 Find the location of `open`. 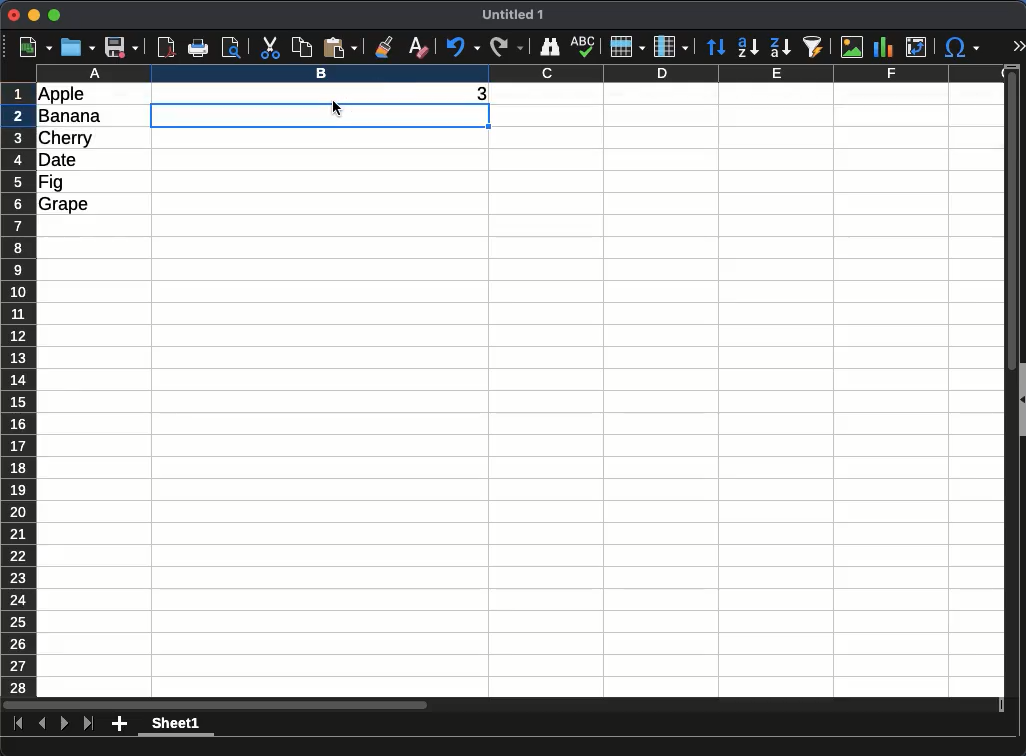

open is located at coordinates (78, 48).